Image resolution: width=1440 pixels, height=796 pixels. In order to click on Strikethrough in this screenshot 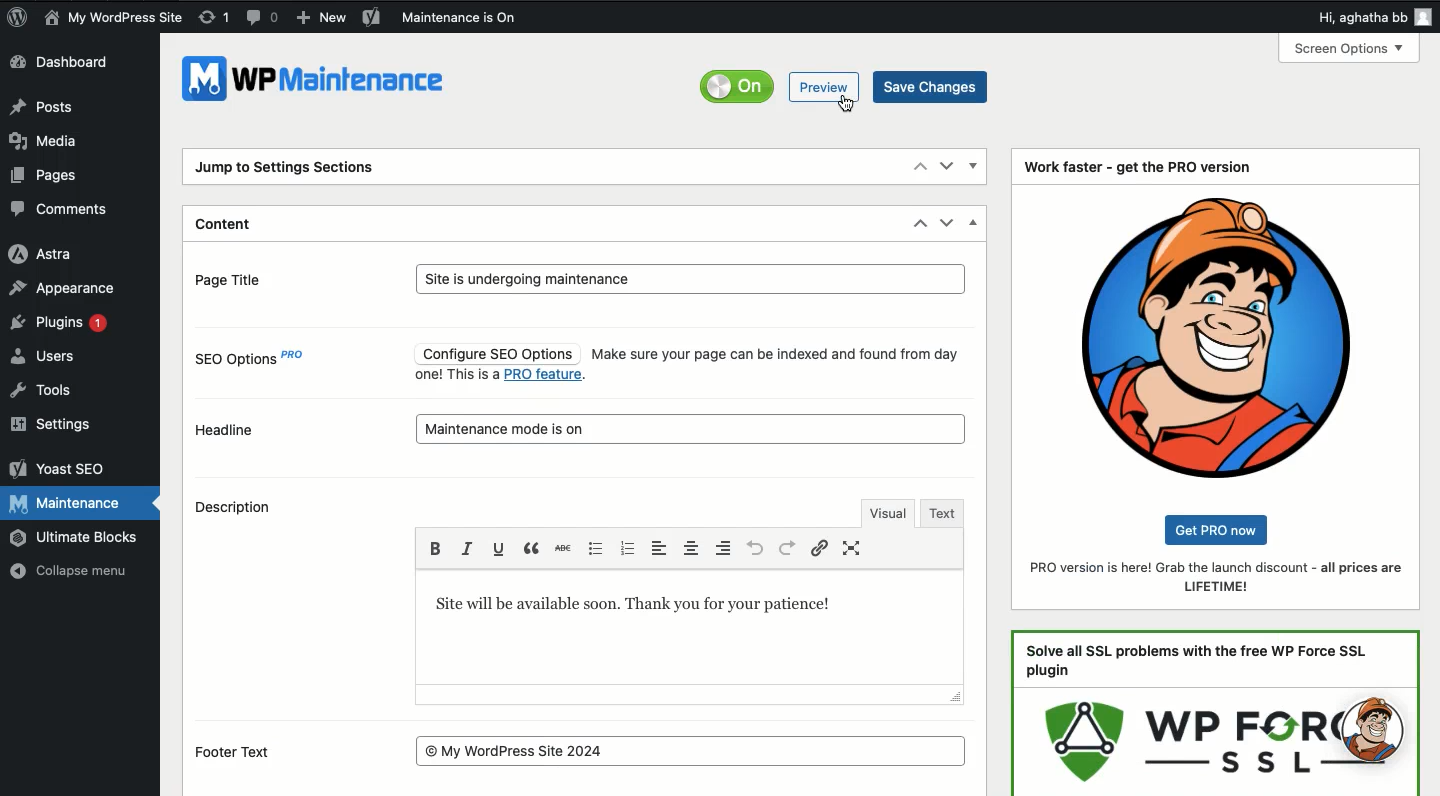, I will do `click(562, 549)`.